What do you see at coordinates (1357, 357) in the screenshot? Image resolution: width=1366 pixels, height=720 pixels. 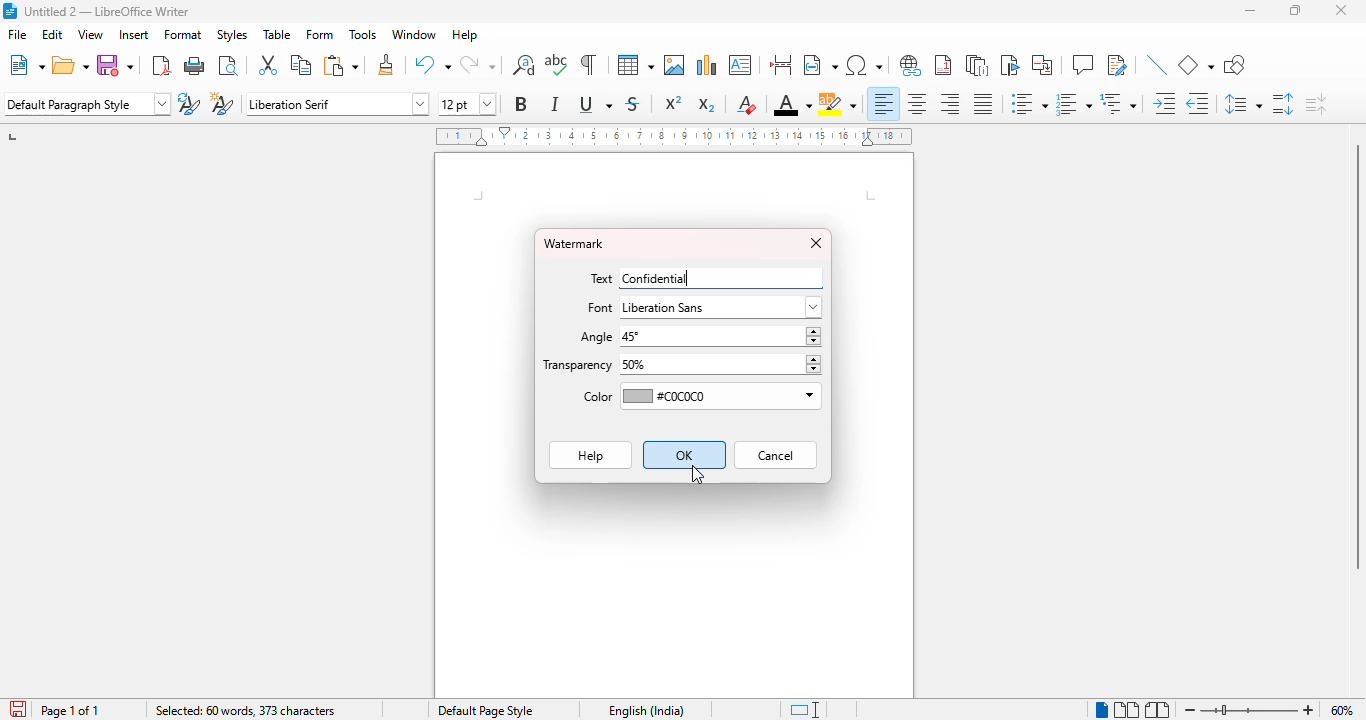 I see `vertical scroll bar` at bounding box center [1357, 357].